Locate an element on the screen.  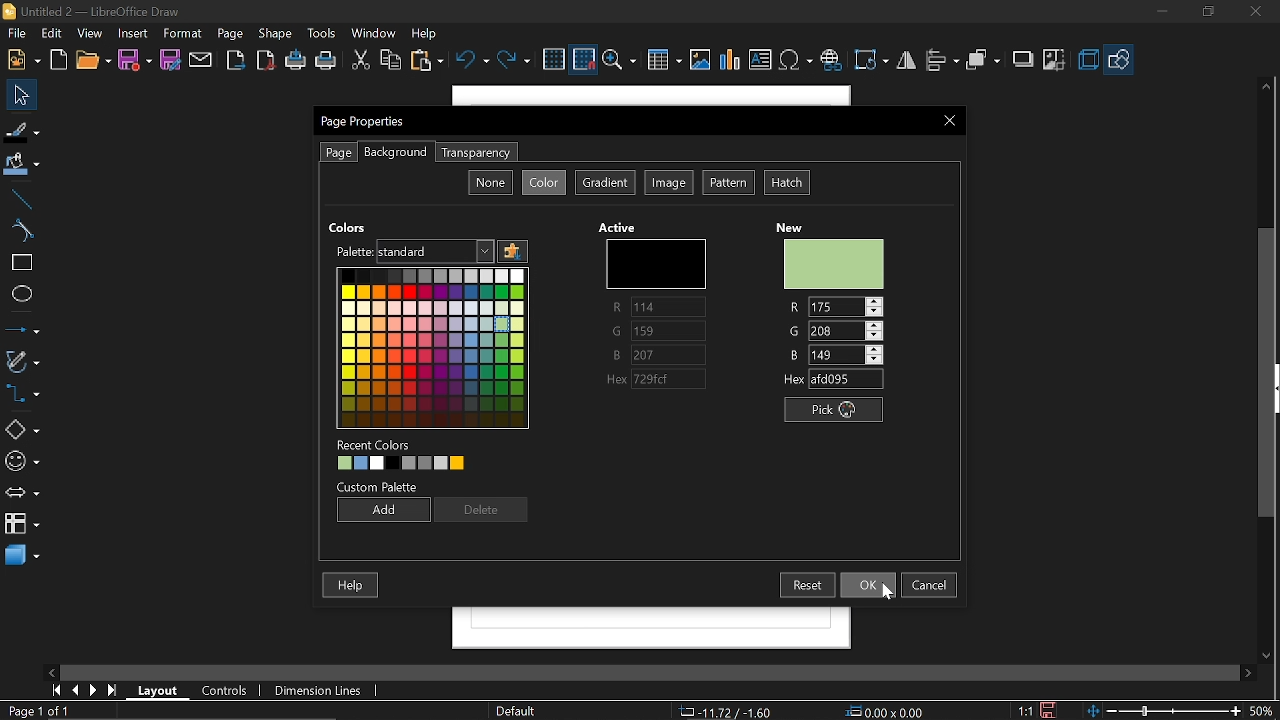
Zoom is located at coordinates (619, 60).